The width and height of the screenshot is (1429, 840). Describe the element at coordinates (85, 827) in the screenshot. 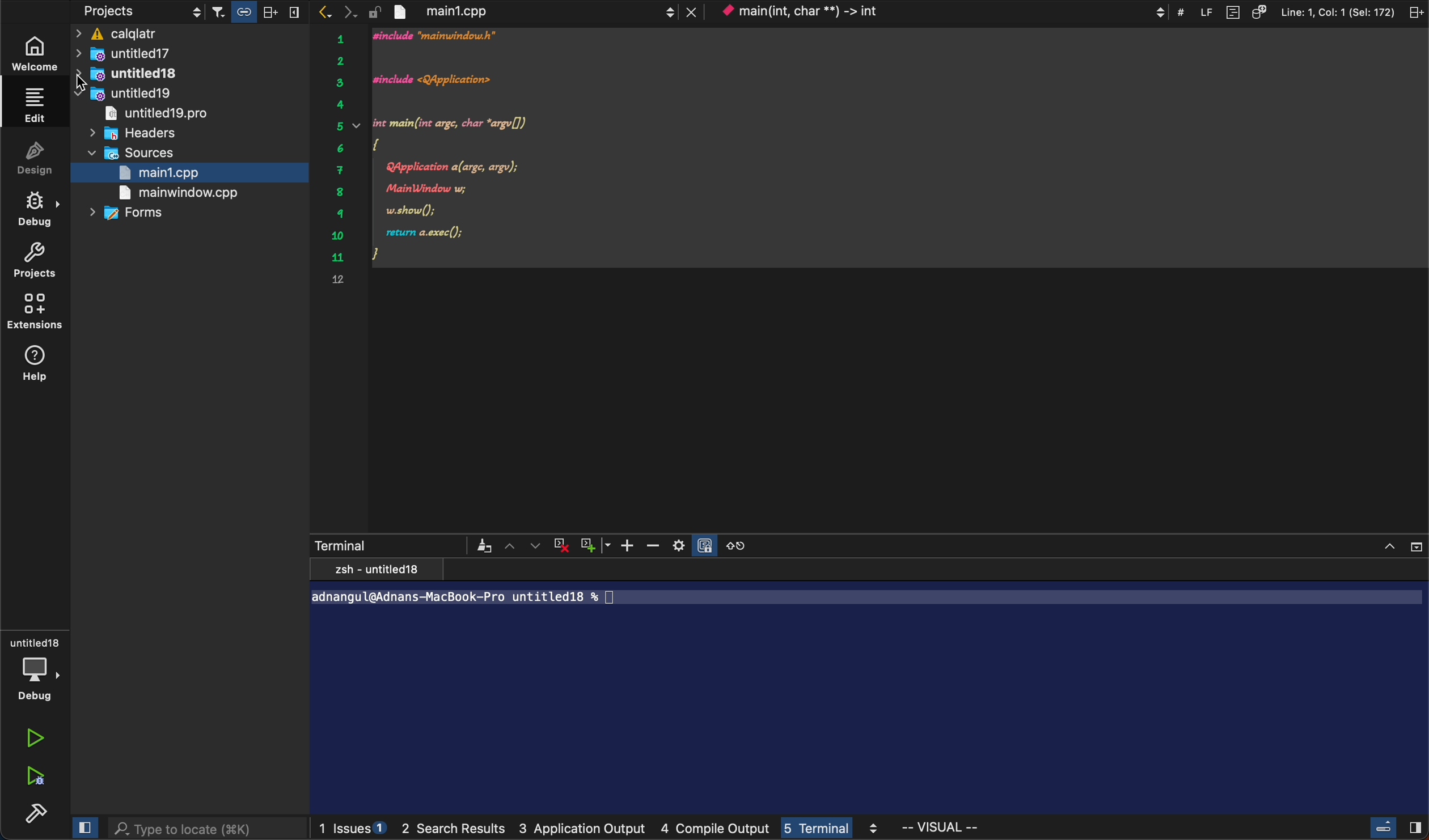

I see `close slidebar` at that location.